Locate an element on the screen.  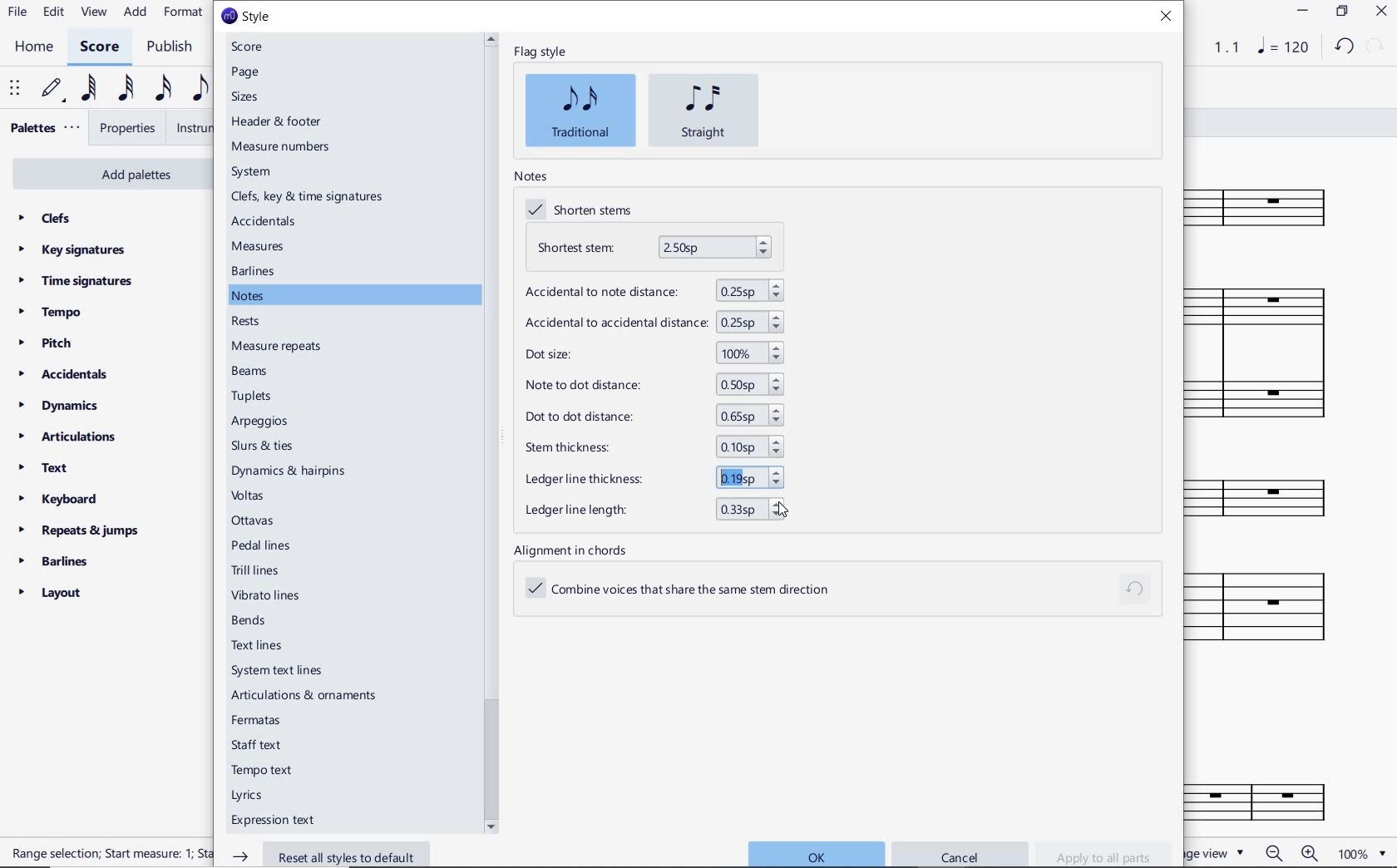
Instrument: Flute is located at coordinates (1269, 205).